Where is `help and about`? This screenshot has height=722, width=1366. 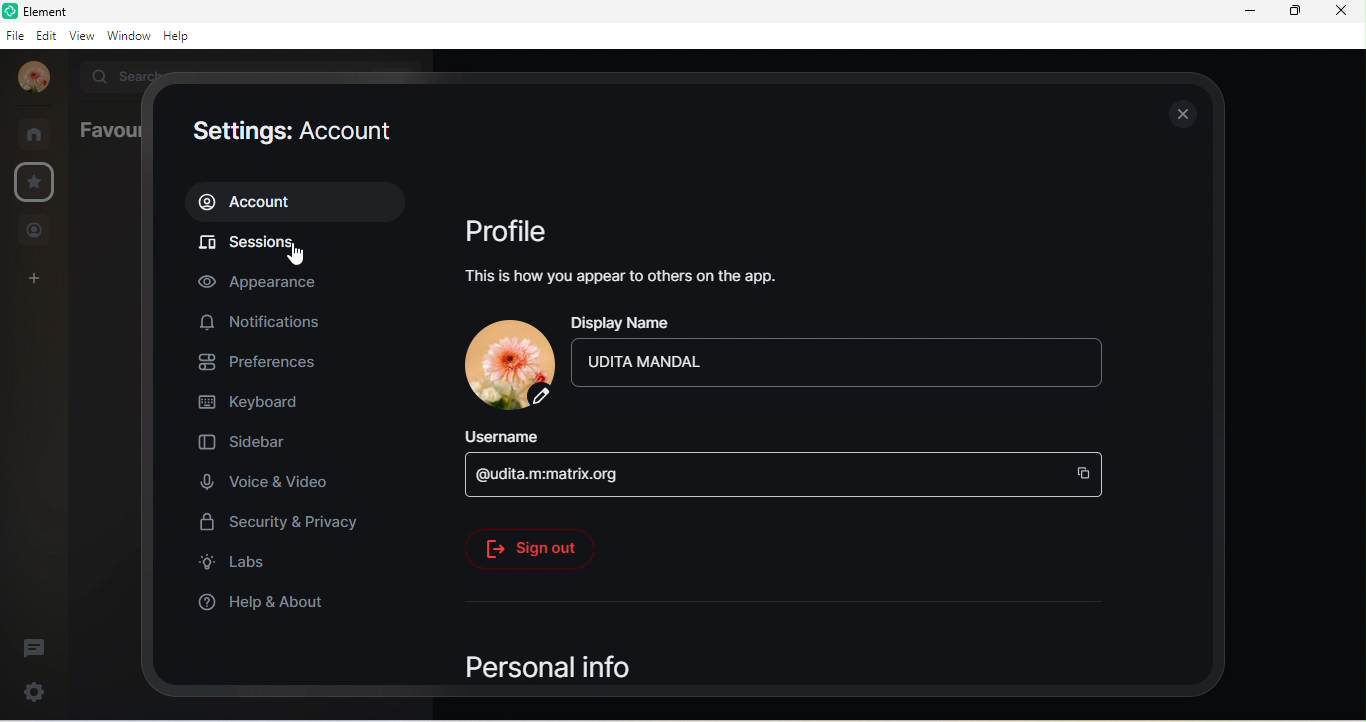 help and about is located at coordinates (273, 601).